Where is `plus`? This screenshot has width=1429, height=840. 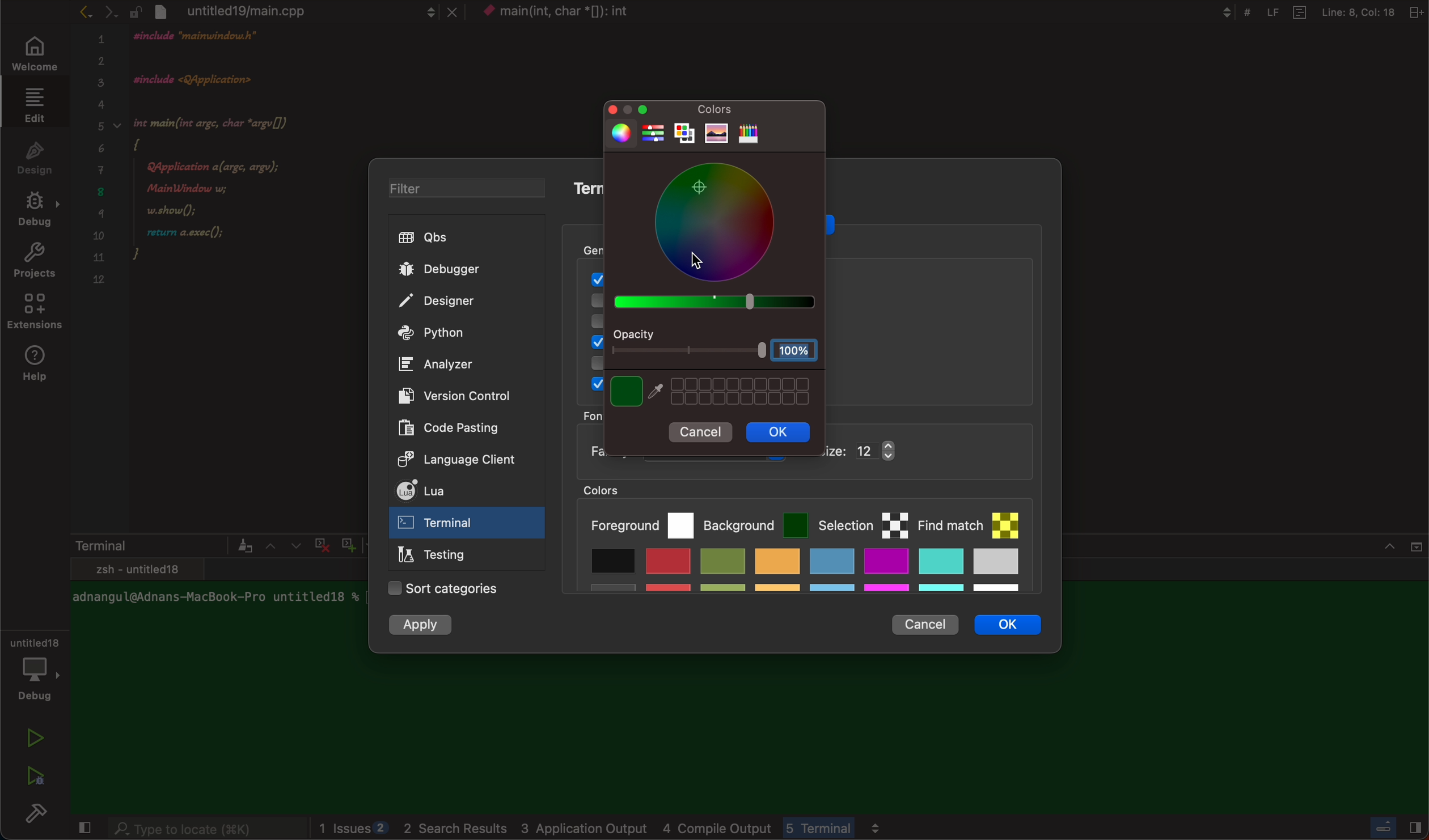 plus is located at coordinates (346, 543).